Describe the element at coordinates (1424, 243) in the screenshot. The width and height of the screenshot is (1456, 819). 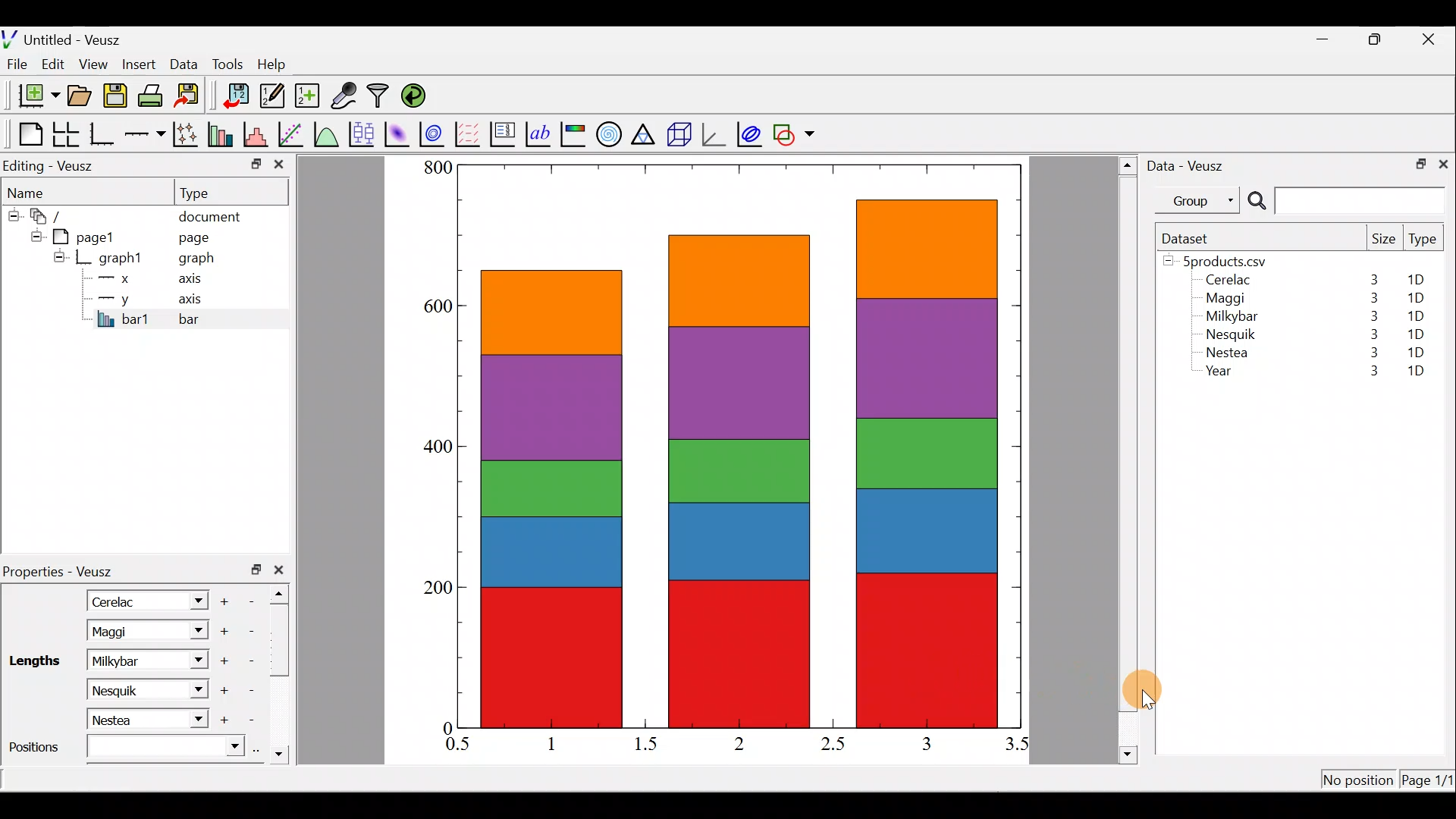
I see `Type` at that location.